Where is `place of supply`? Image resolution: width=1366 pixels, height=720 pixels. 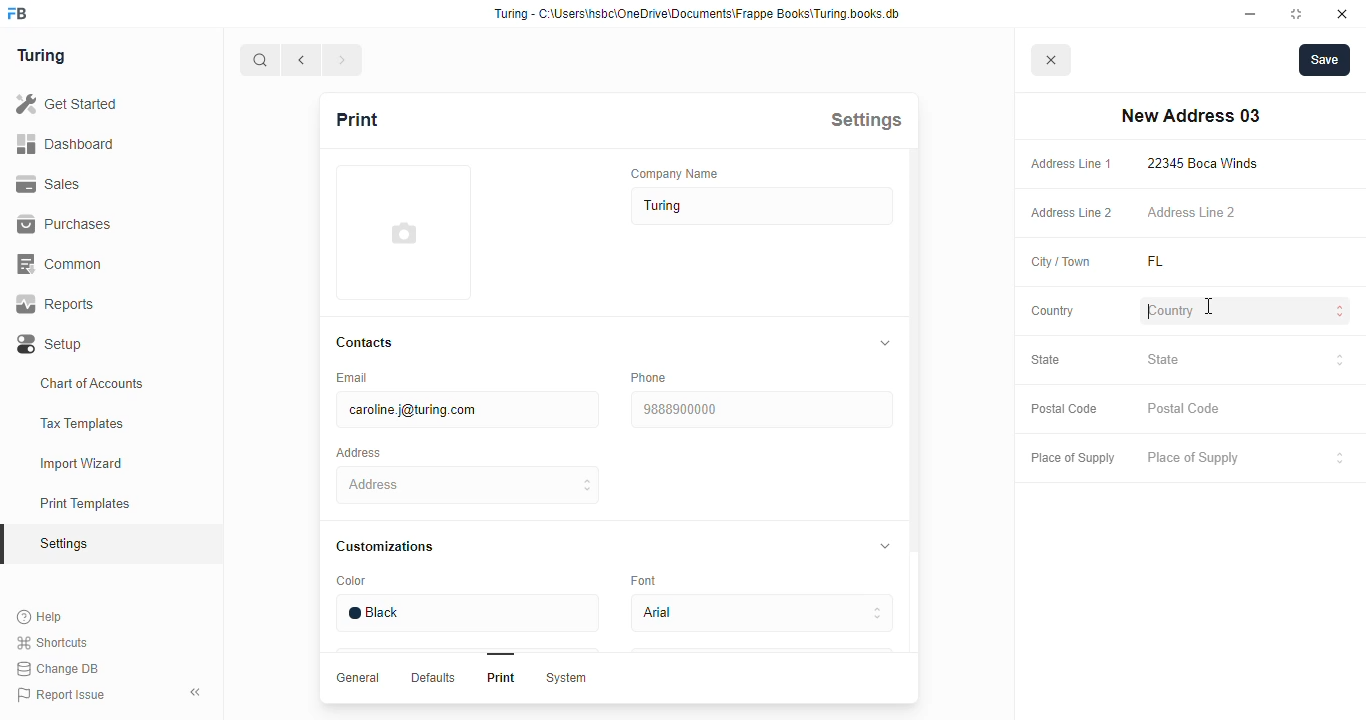 place of supply is located at coordinates (1247, 459).